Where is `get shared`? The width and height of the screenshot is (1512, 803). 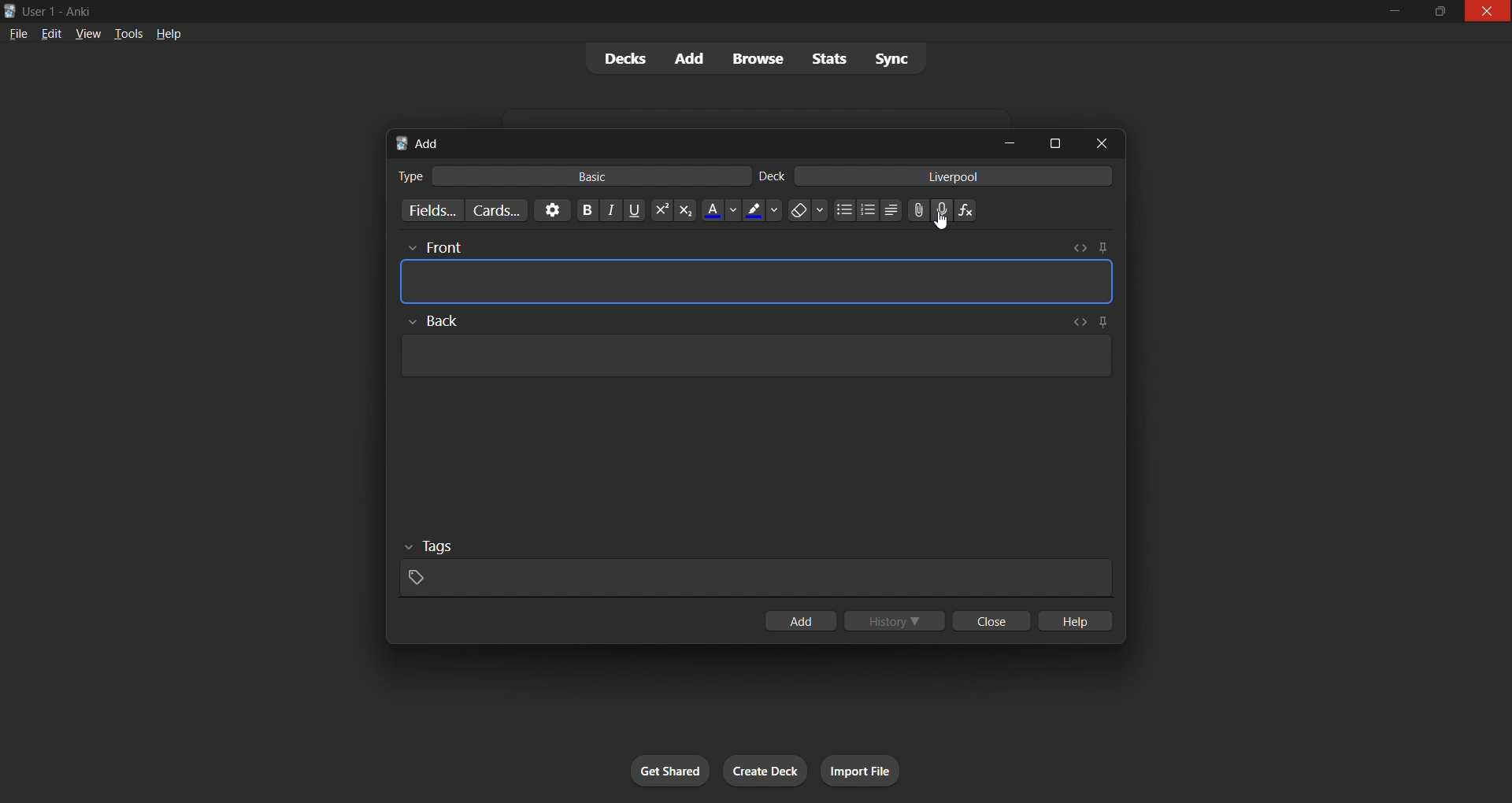 get shared is located at coordinates (654, 766).